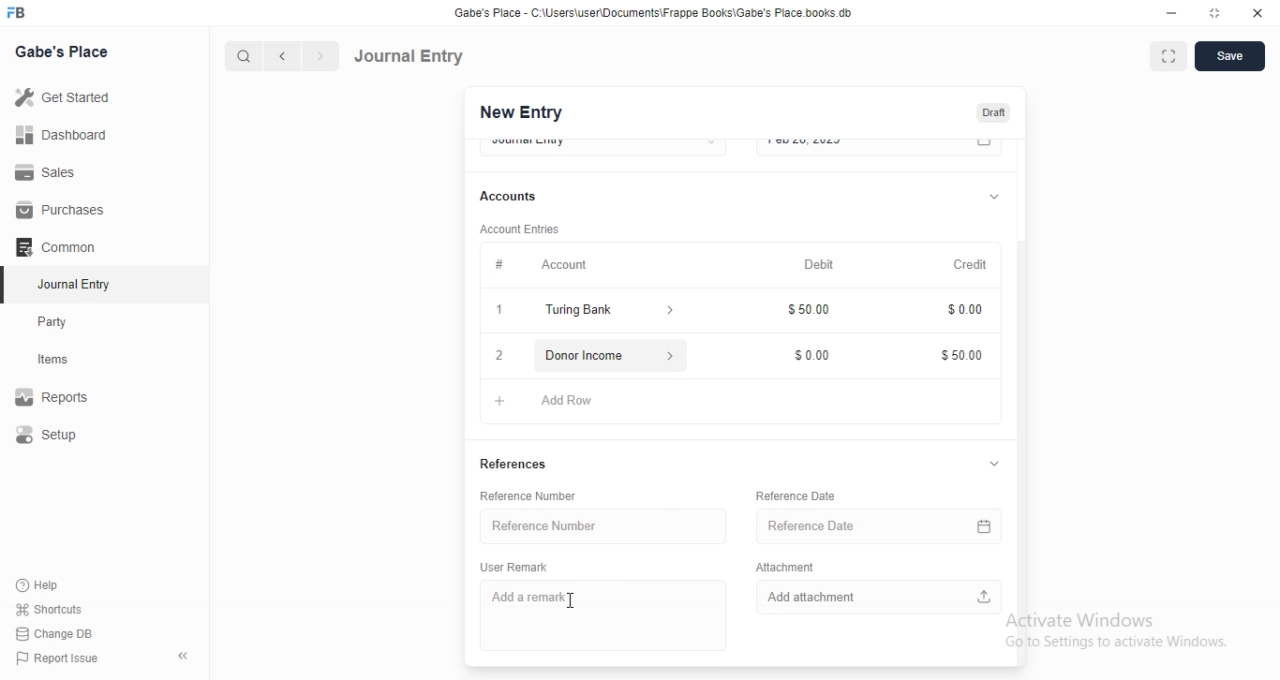  I want to click on Dashboard, so click(66, 134).